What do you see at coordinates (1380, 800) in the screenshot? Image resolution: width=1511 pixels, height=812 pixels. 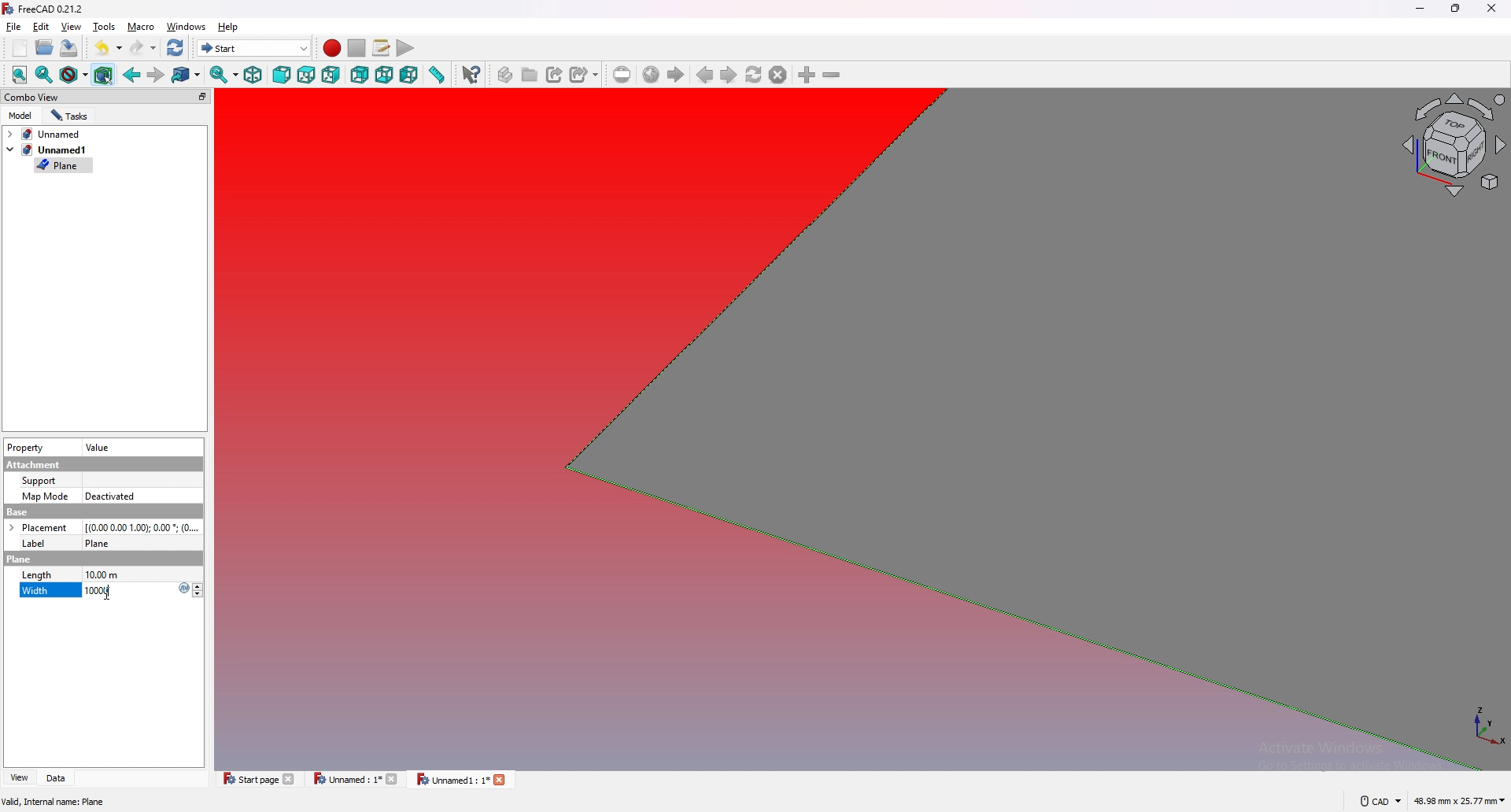 I see `cad navigation` at bounding box center [1380, 800].